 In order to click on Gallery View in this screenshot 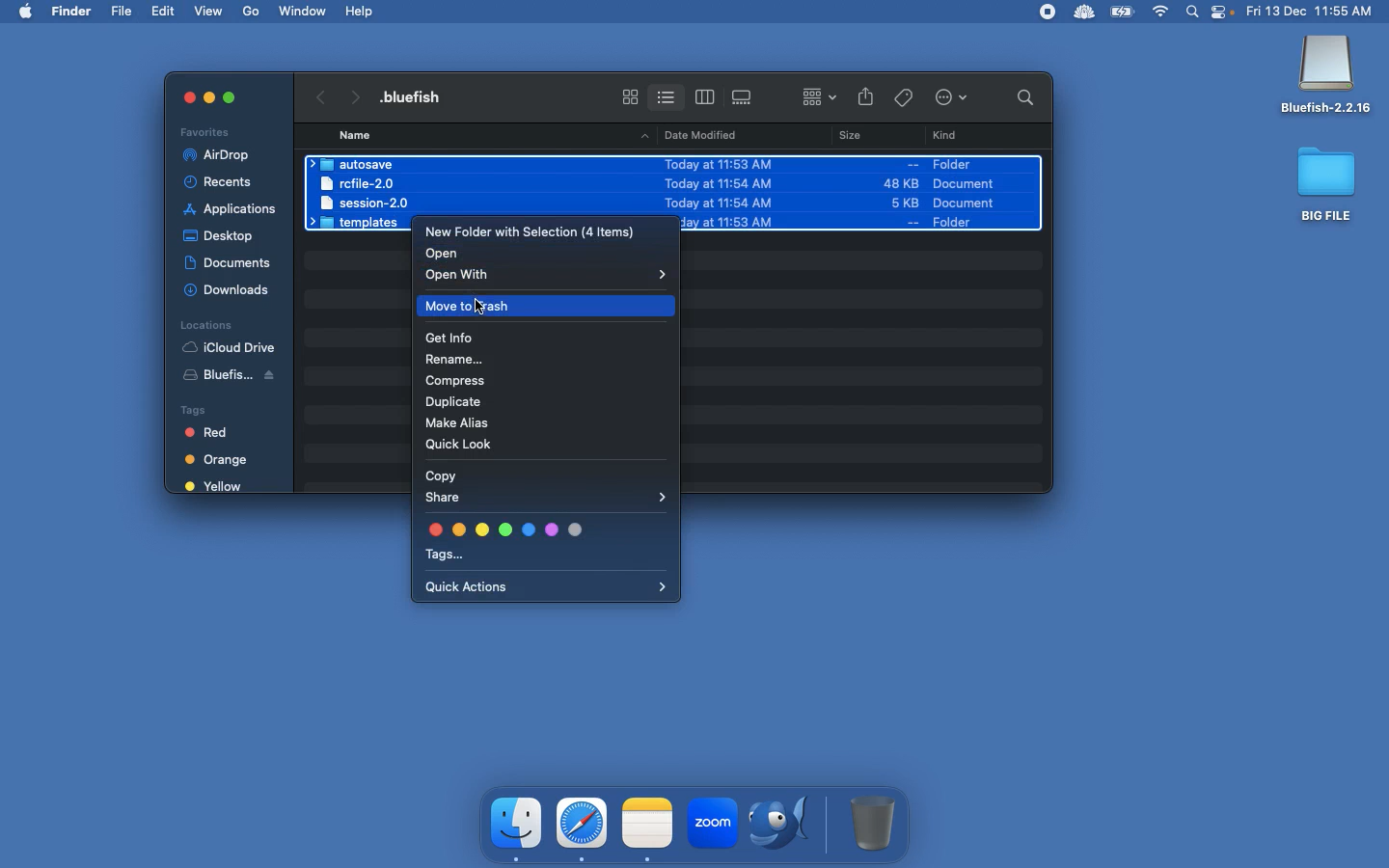, I will do `click(744, 94)`.